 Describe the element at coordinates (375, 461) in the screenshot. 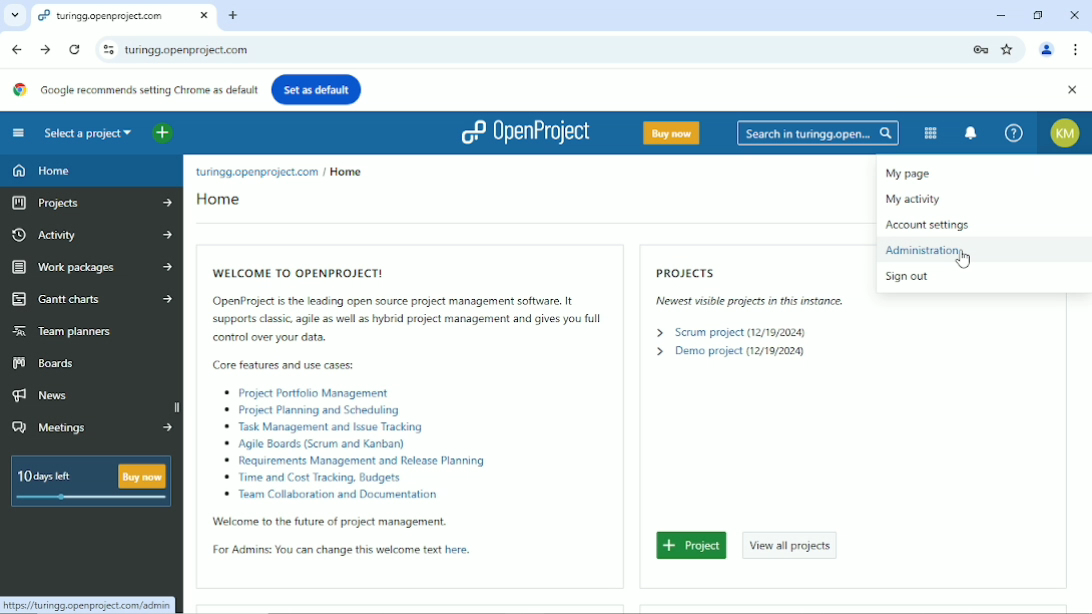

I see `Requirements Management and Release Planning` at that location.